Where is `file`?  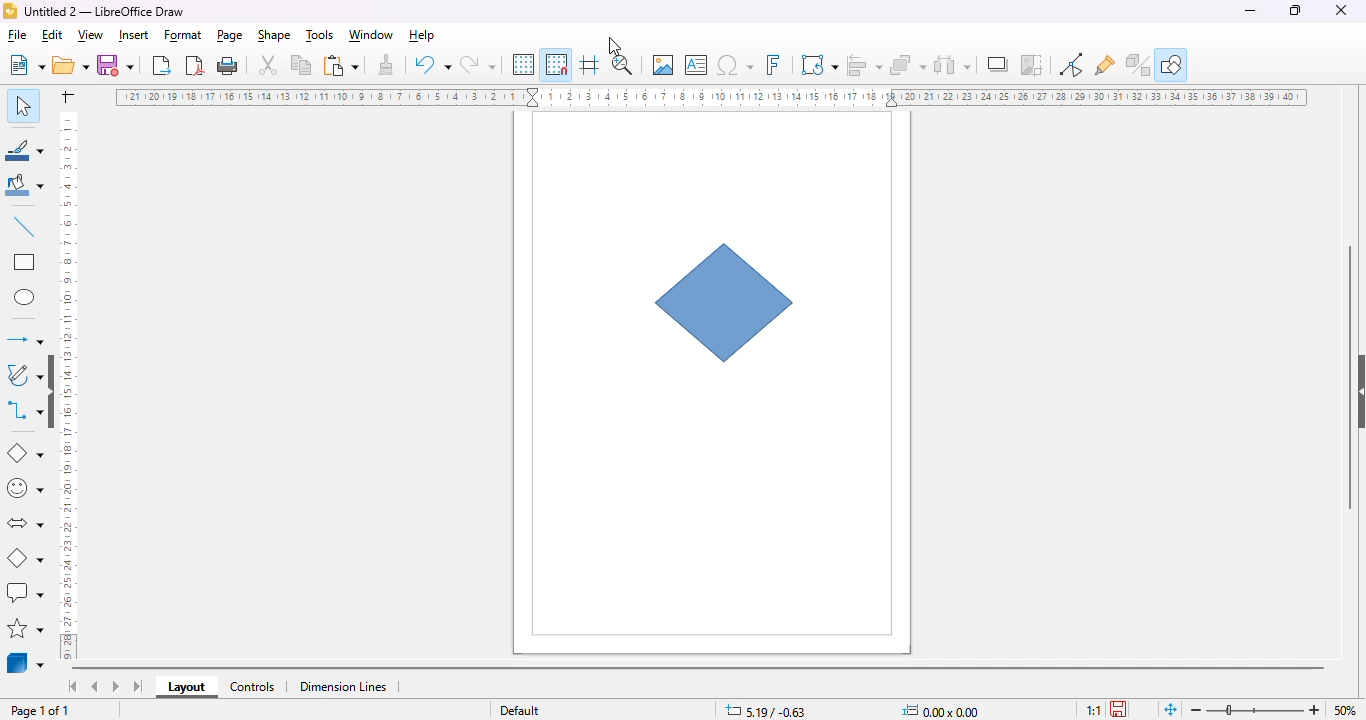
file is located at coordinates (16, 37).